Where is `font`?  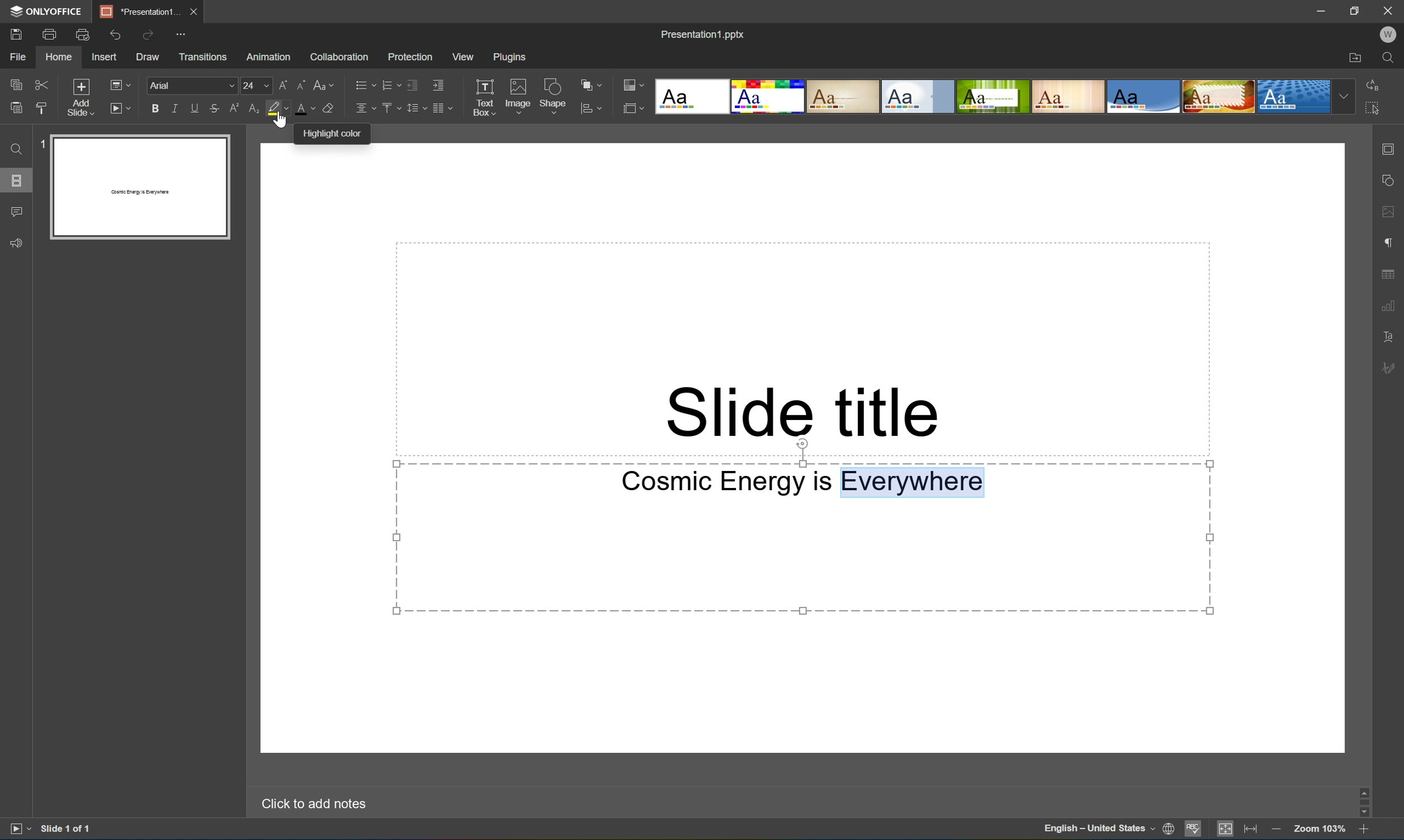
font is located at coordinates (188, 87).